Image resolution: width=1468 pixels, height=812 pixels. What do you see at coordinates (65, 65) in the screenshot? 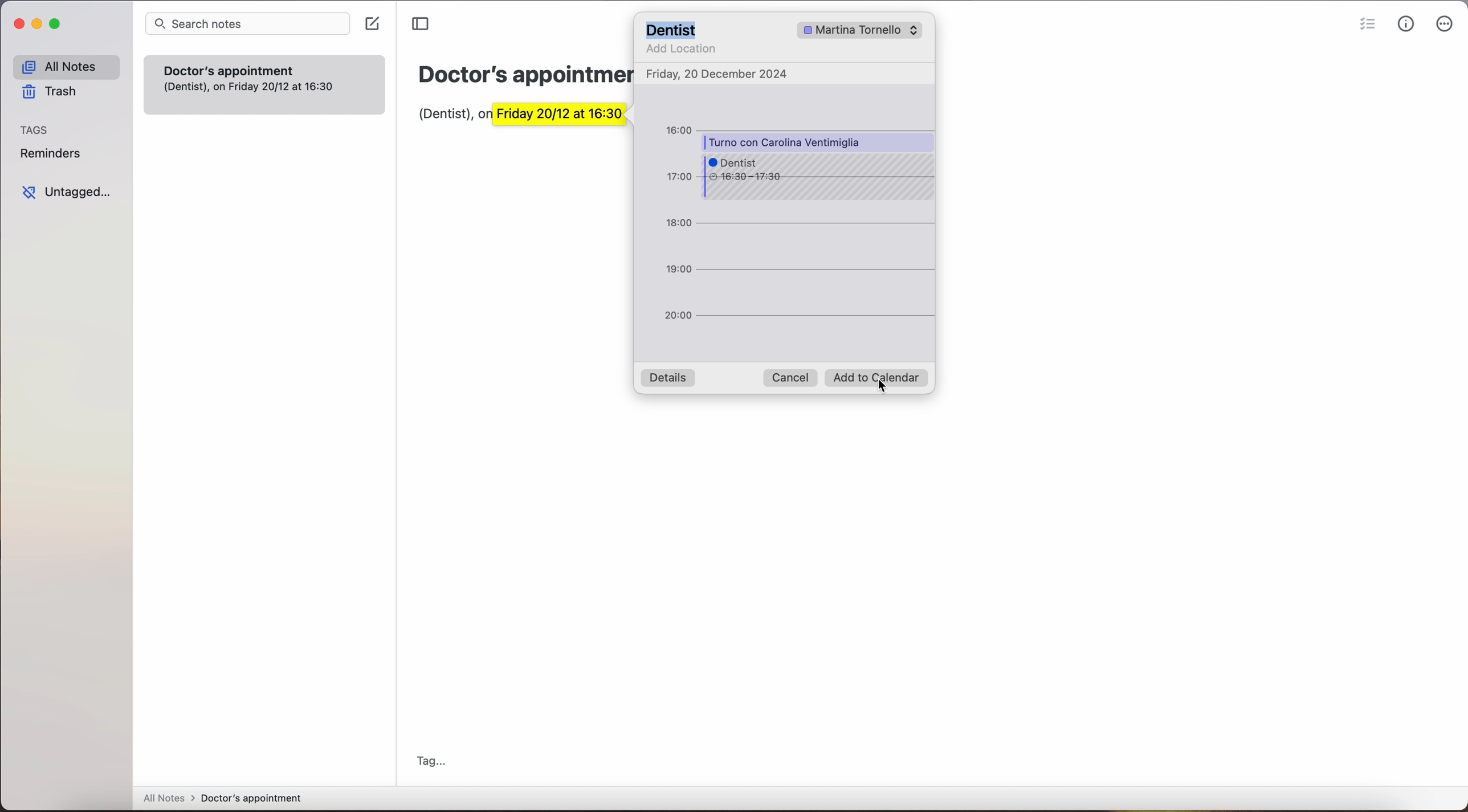
I see `All Notes` at bounding box center [65, 65].